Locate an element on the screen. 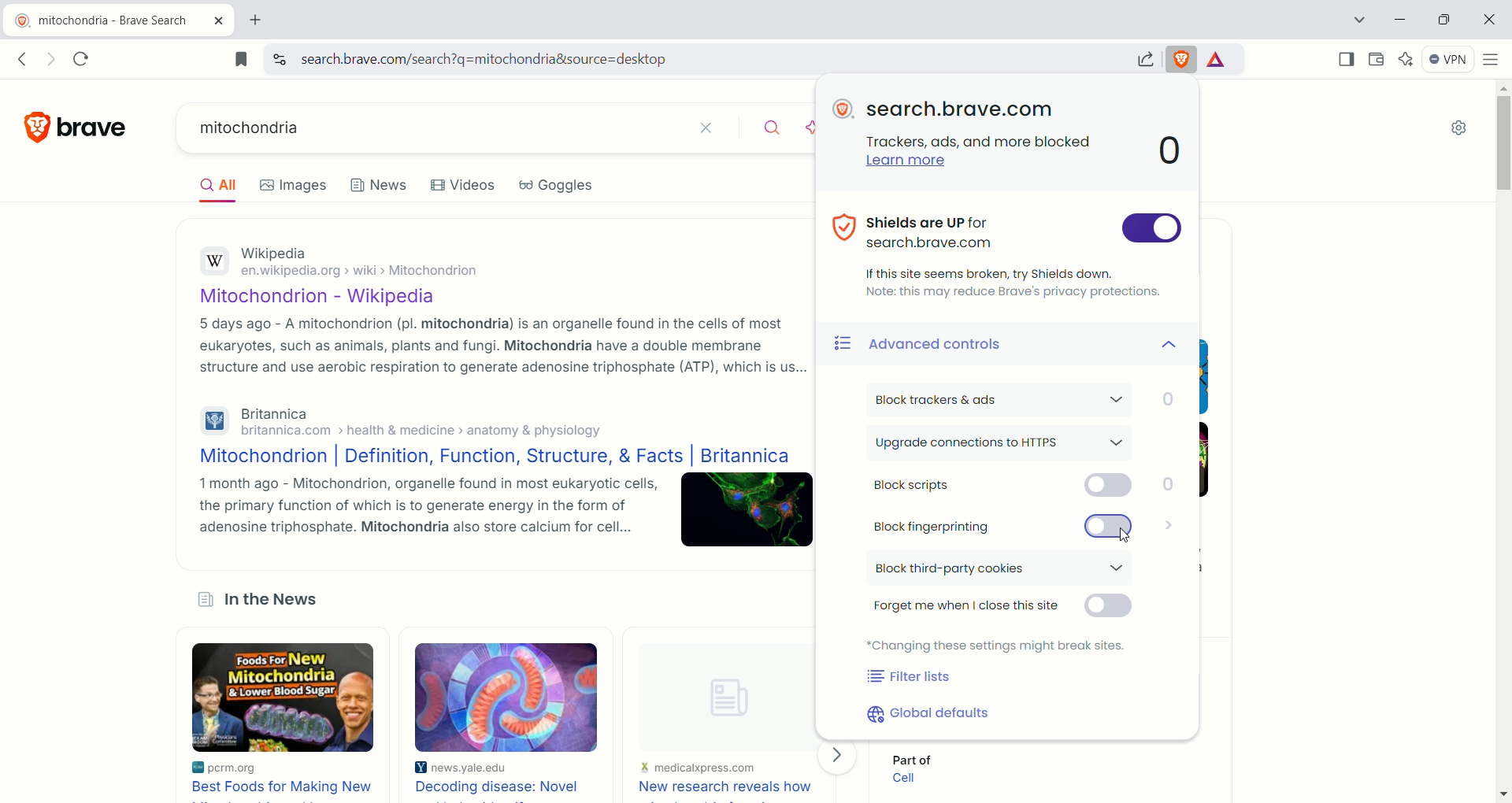 This screenshot has height=803, width=1512. show sidebar is located at coordinates (1343, 59).